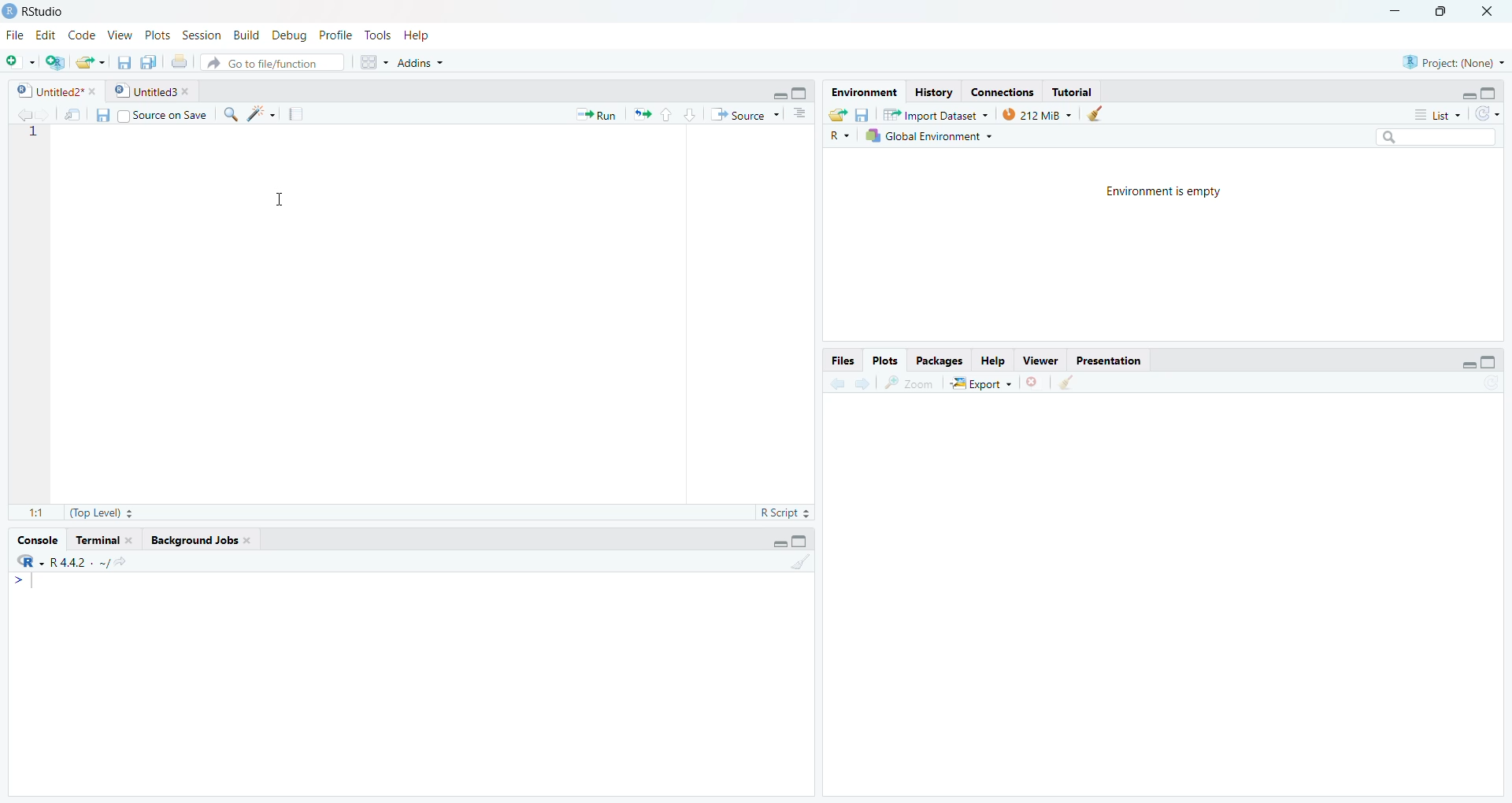  Describe the element at coordinates (990, 360) in the screenshot. I see `help` at that location.